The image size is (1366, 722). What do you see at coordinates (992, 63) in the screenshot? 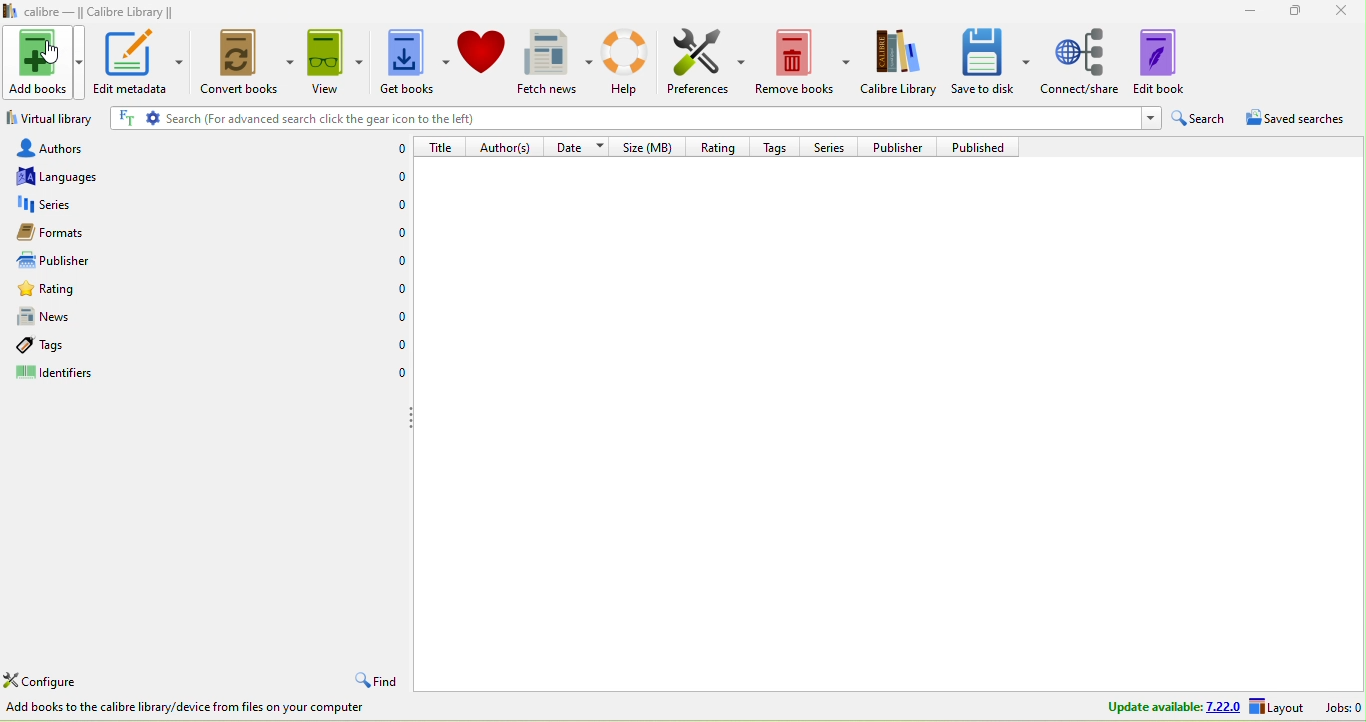
I see `save to disk` at bounding box center [992, 63].